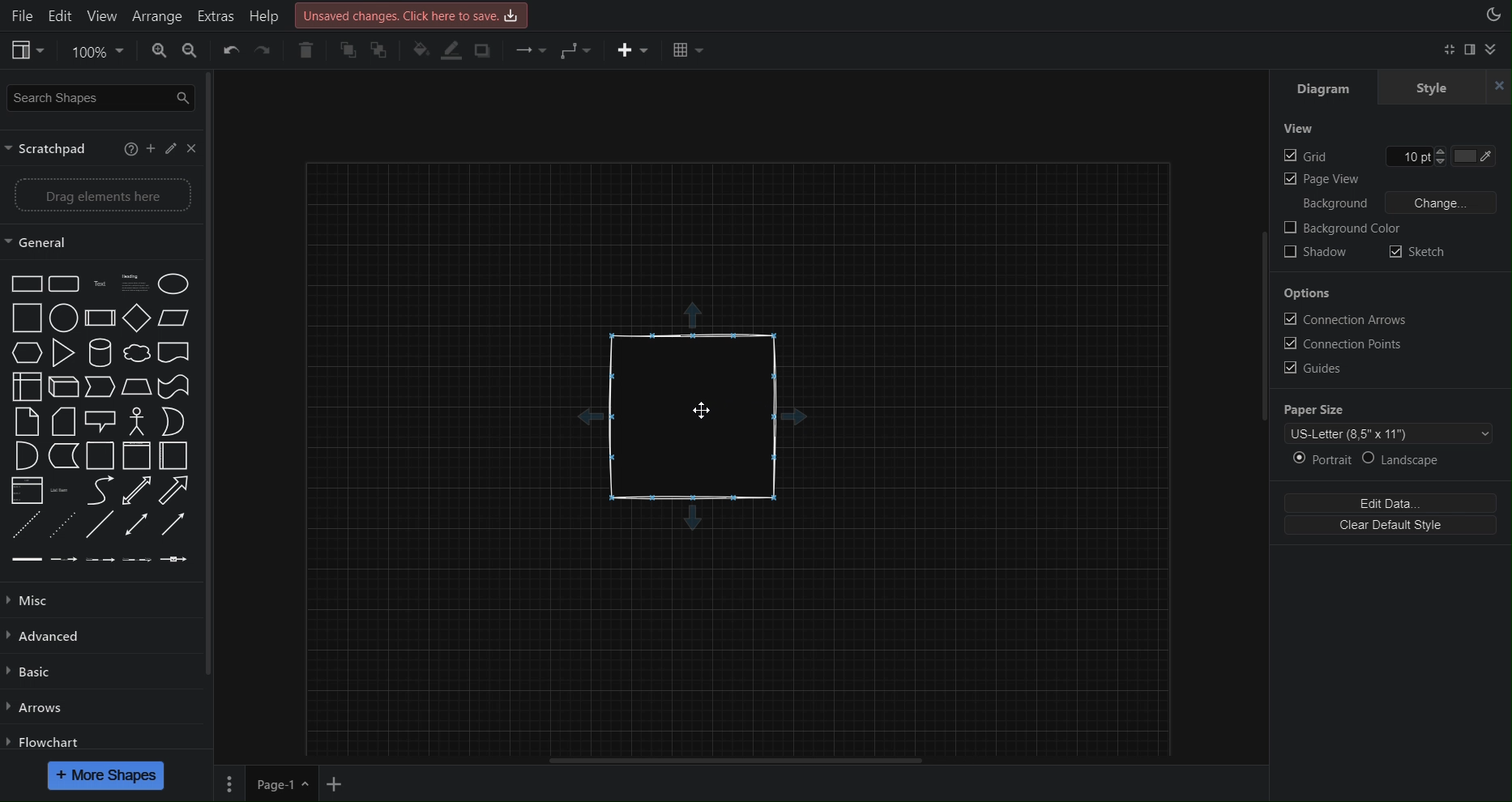 Image resolution: width=1512 pixels, height=802 pixels. I want to click on Change, so click(1443, 203).